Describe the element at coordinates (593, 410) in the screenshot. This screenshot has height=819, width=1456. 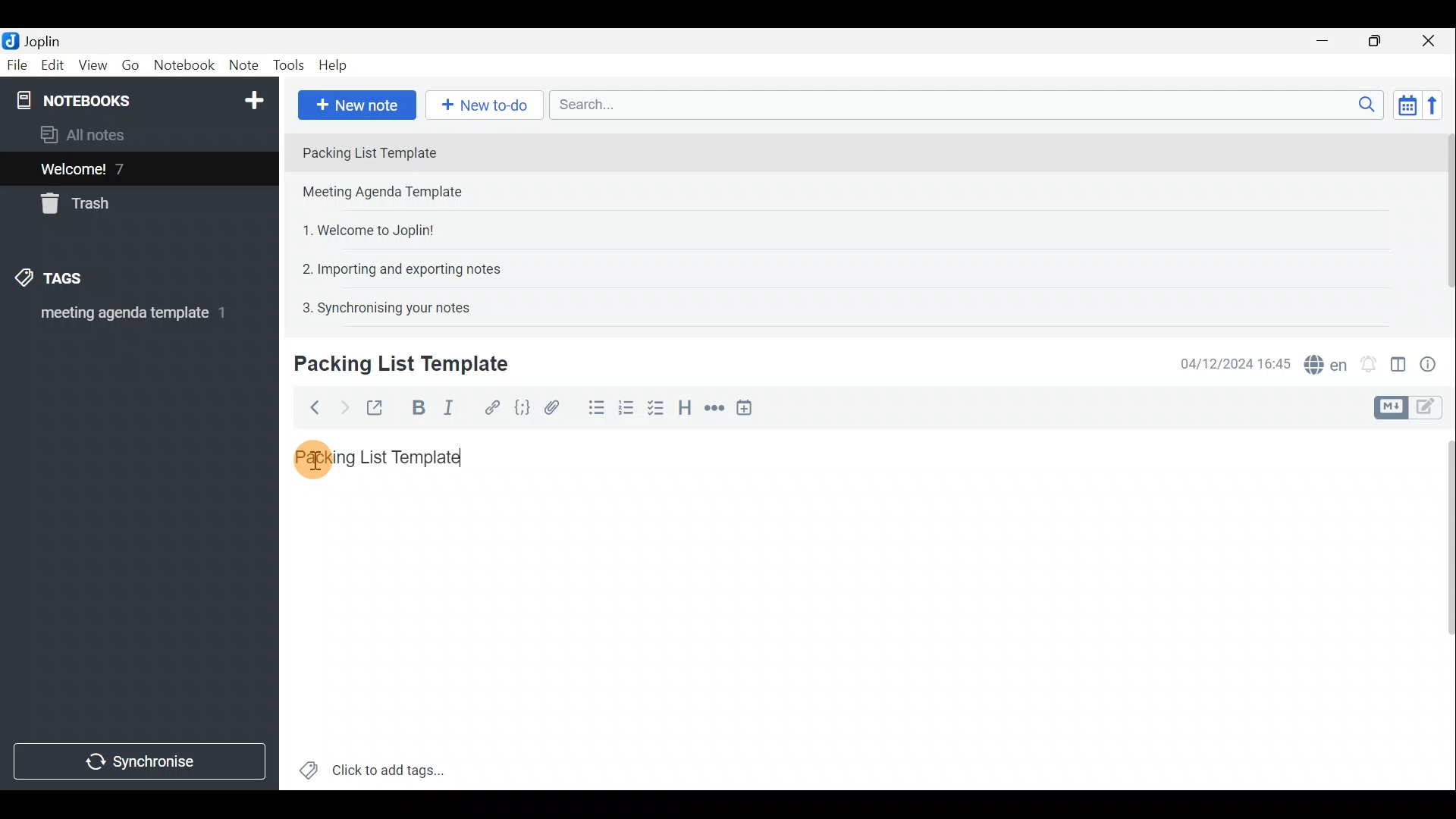
I see `Bulleted list` at that location.